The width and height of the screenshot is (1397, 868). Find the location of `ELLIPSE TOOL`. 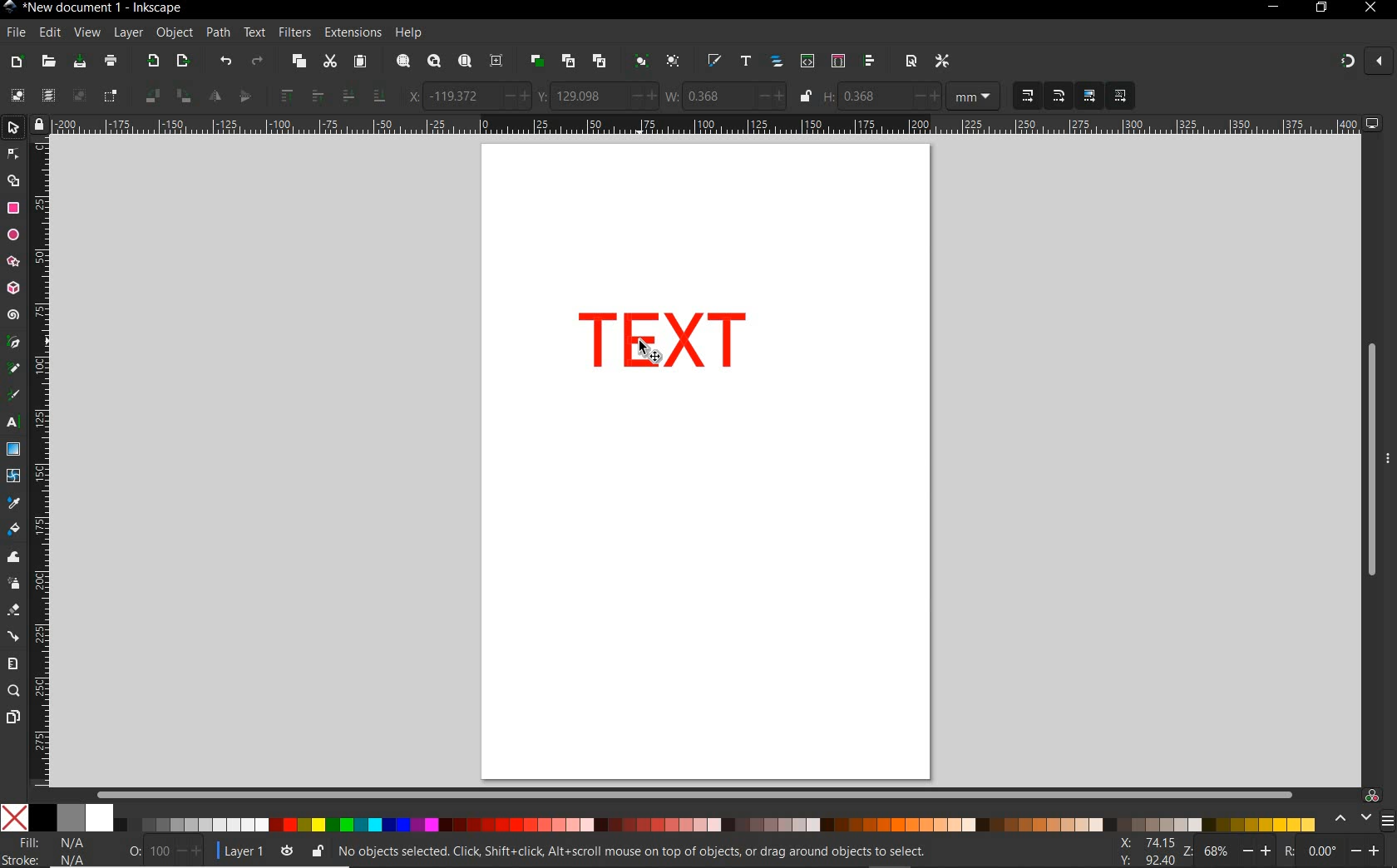

ELLIPSE TOOL is located at coordinates (14, 236).